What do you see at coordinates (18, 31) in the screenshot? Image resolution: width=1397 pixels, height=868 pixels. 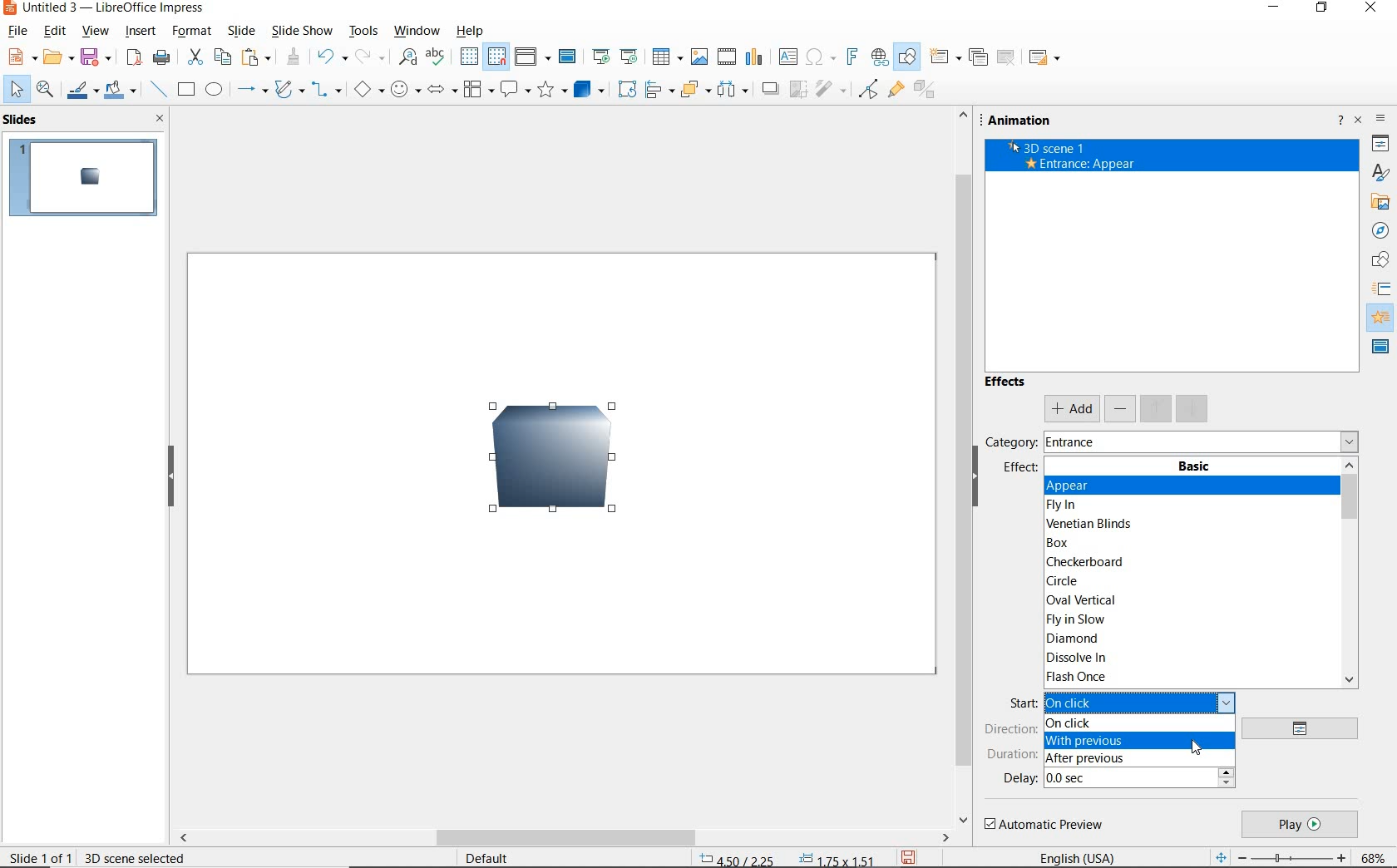 I see `file` at bounding box center [18, 31].